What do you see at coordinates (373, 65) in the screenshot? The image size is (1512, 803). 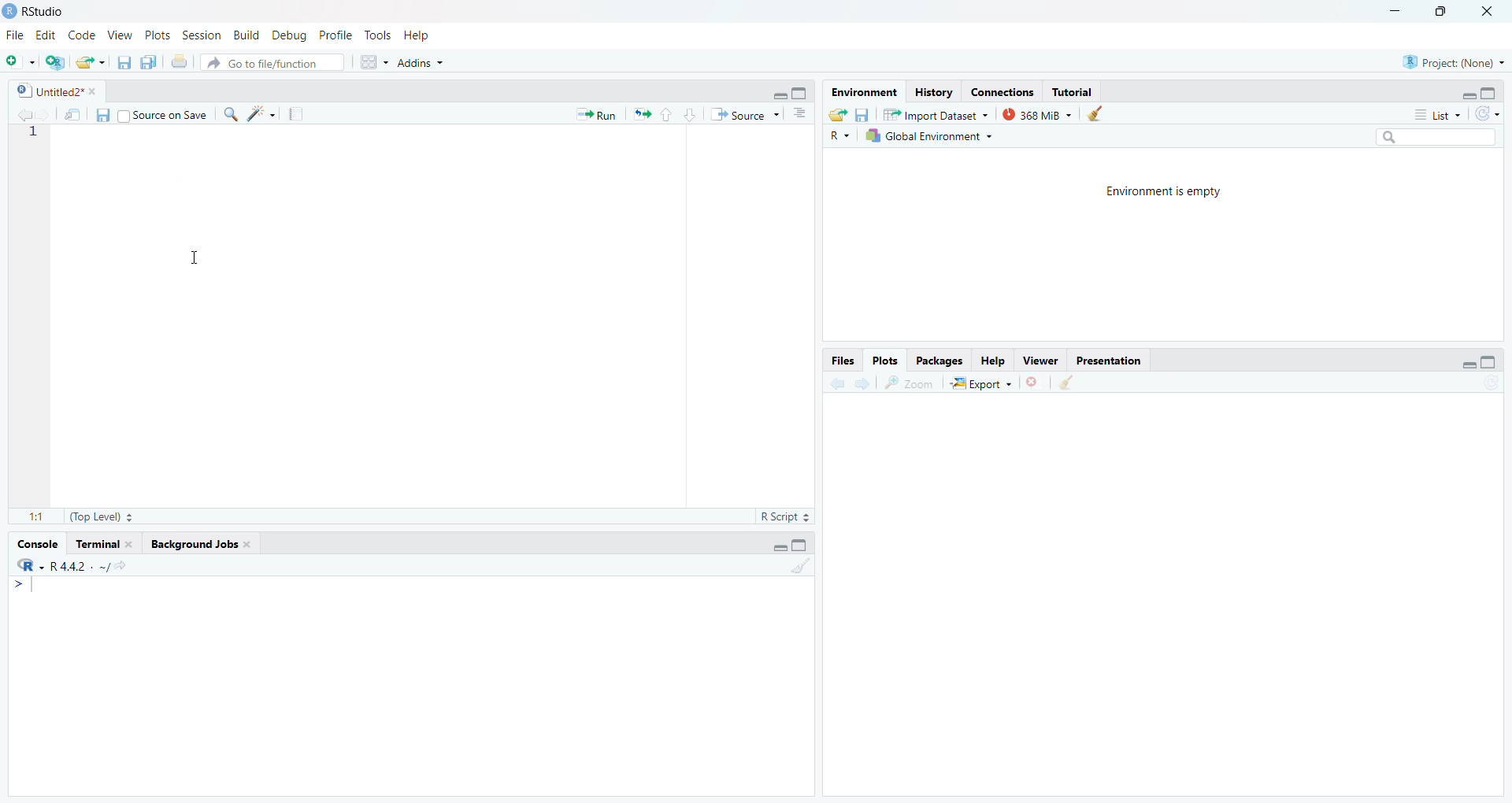 I see `grid` at bounding box center [373, 65].